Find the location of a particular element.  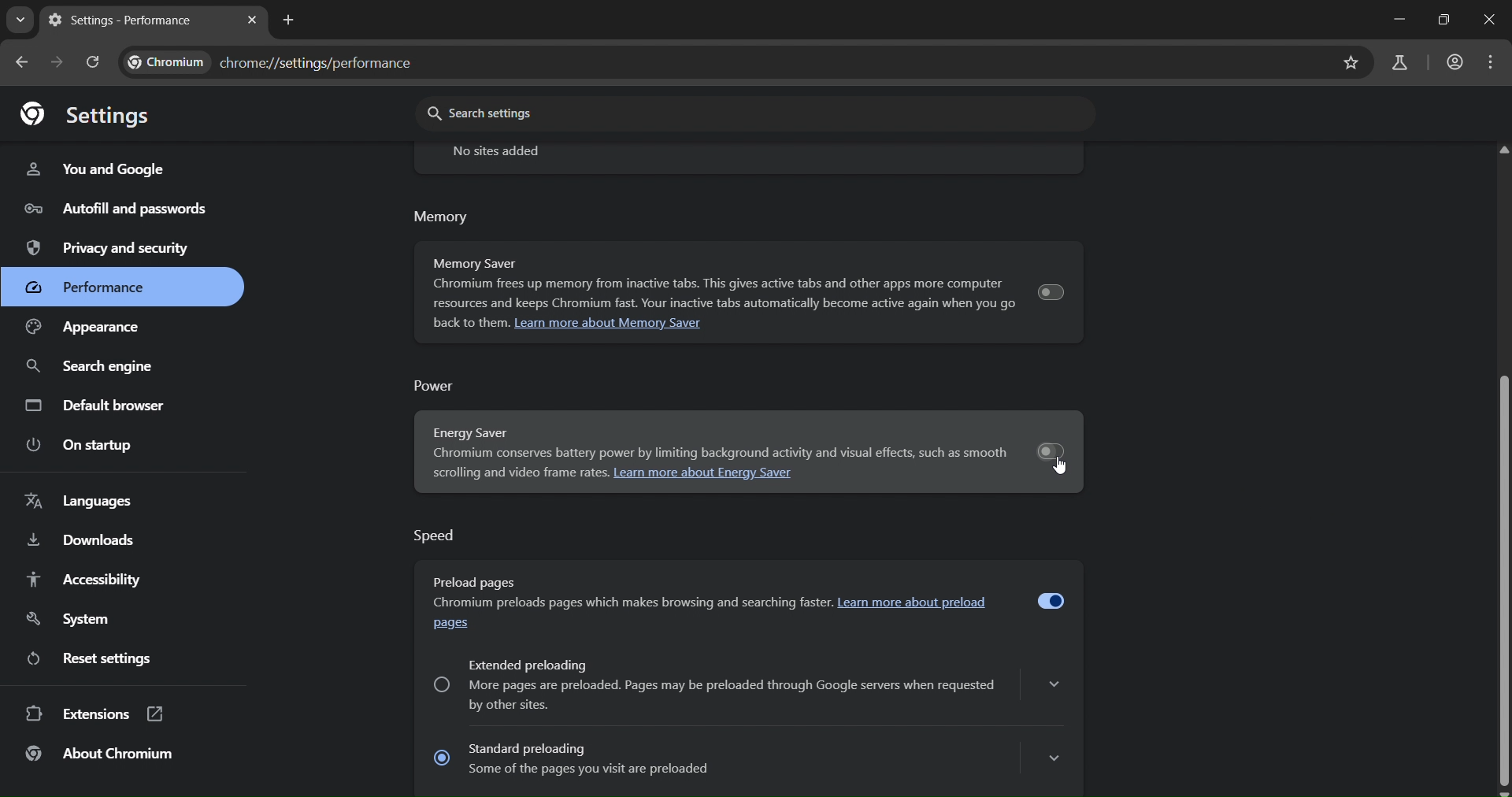

system is located at coordinates (75, 619).